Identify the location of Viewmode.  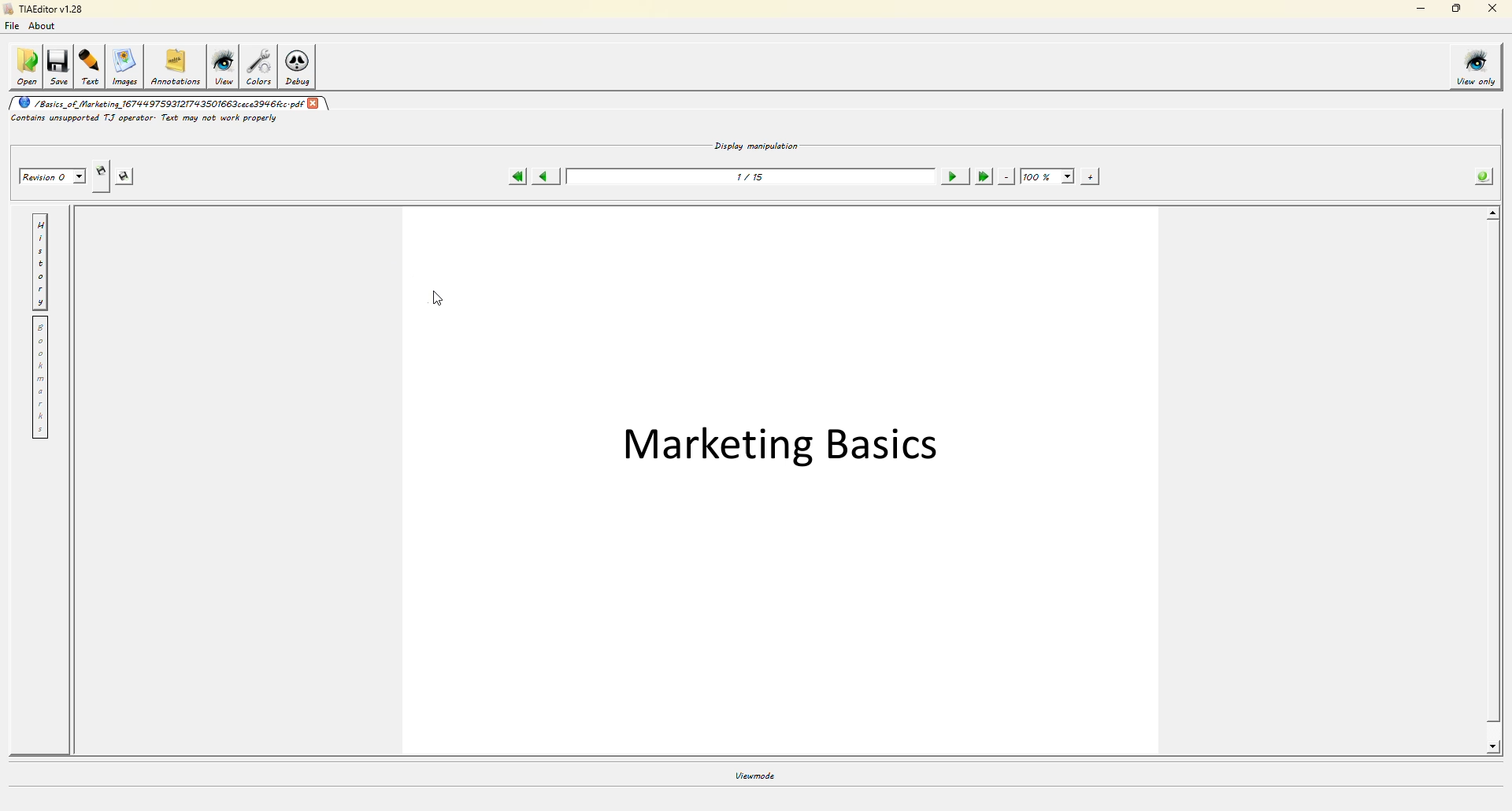
(756, 778).